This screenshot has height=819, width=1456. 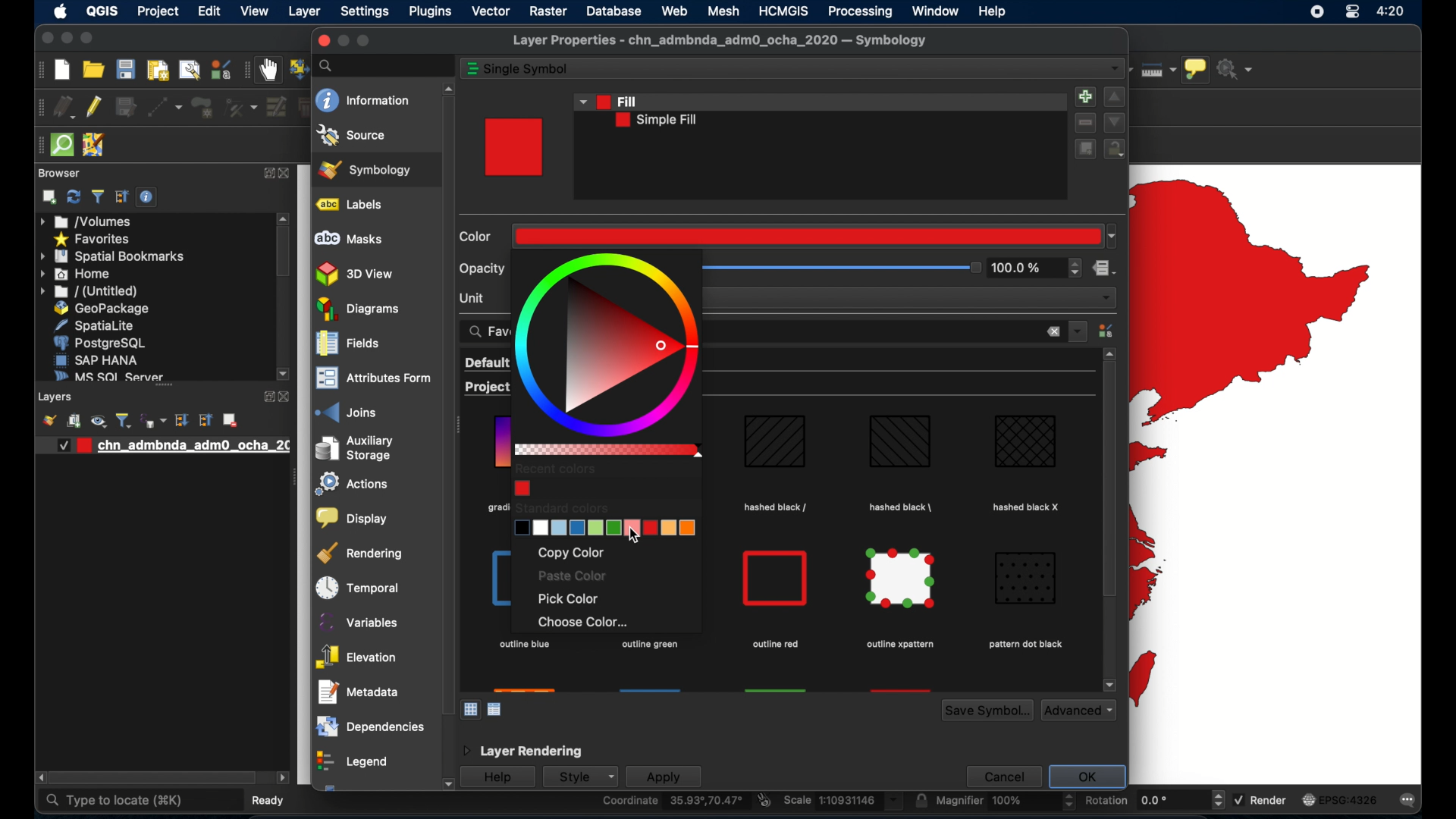 What do you see at coordinates (775, 645) in the screenshot?
I see `outline red` at bounding box center [775, 645].